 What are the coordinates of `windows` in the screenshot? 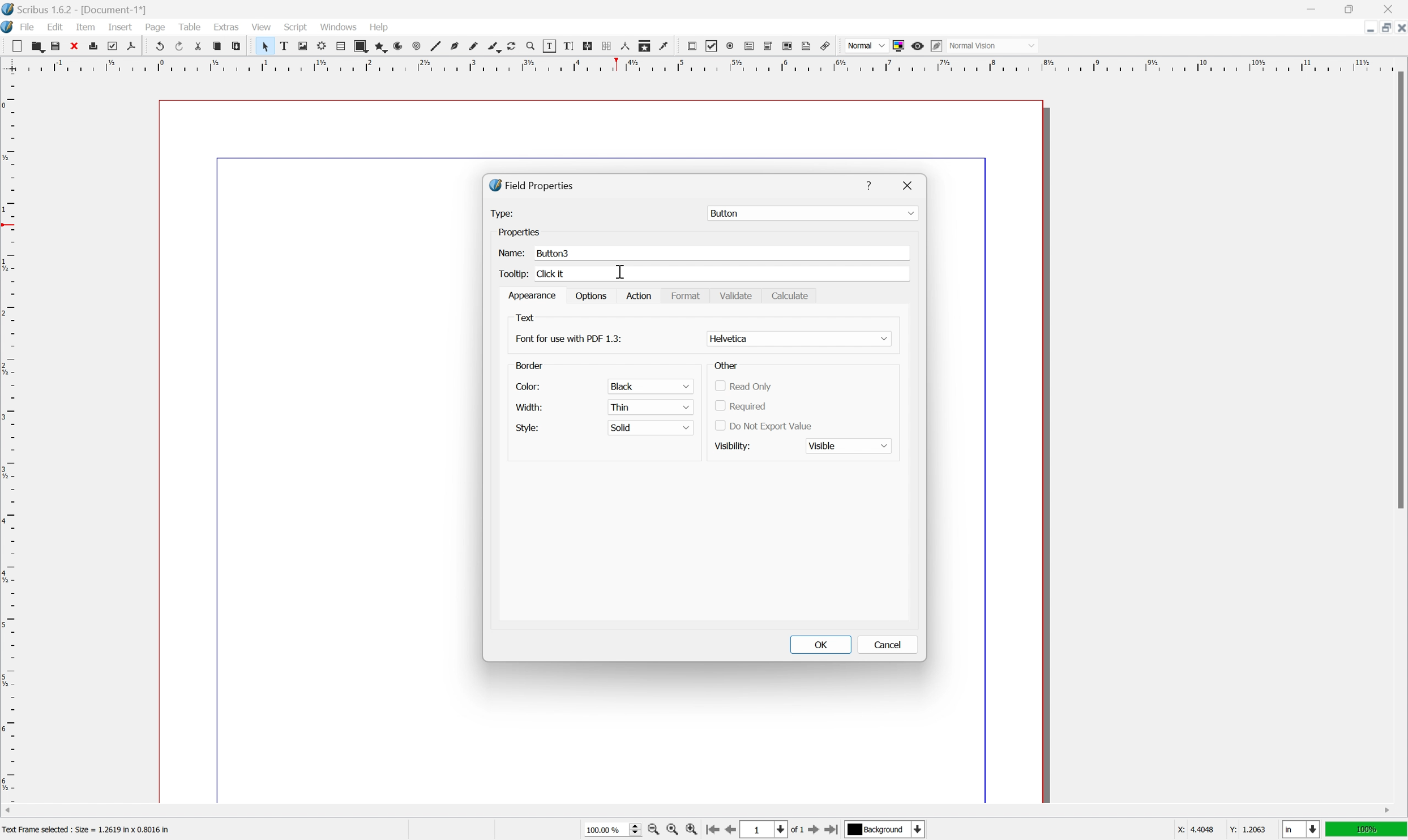 It's located at (339, 27).